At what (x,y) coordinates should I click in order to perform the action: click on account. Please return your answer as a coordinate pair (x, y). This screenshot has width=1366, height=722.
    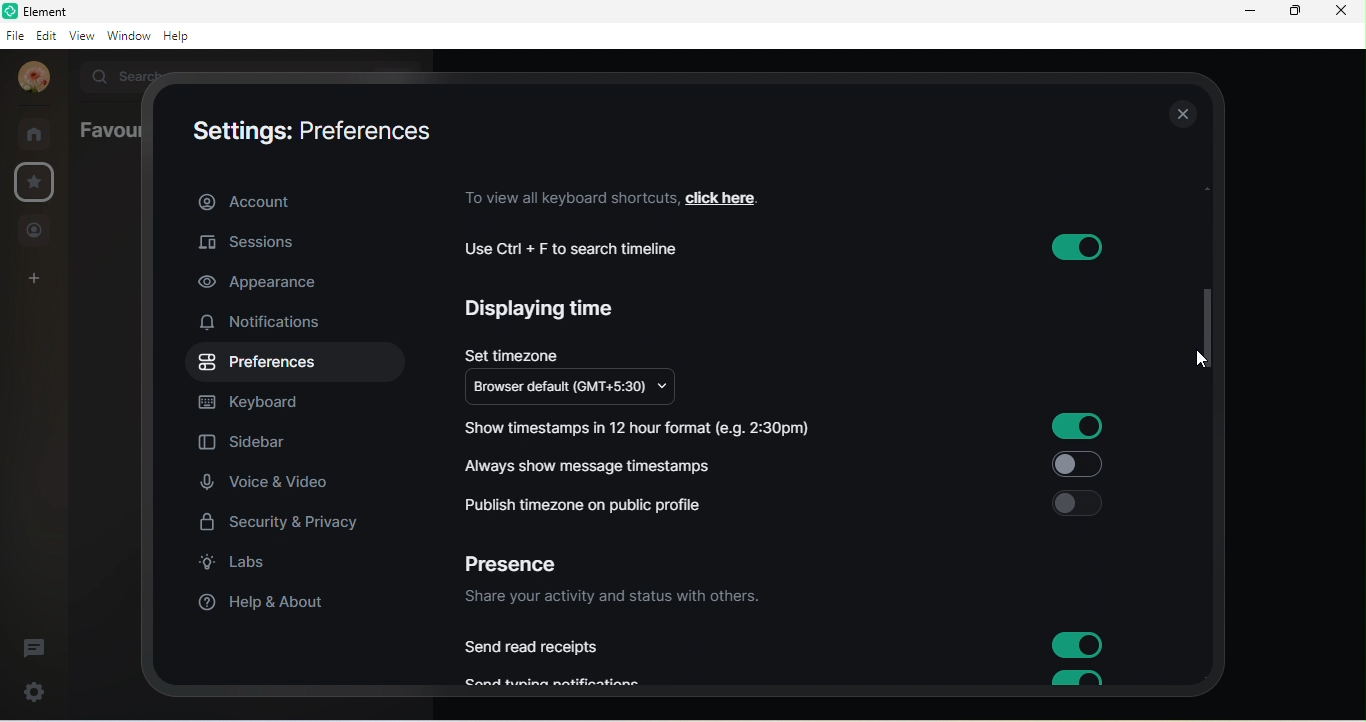
    Looking at the image, I should click on (299, 199).